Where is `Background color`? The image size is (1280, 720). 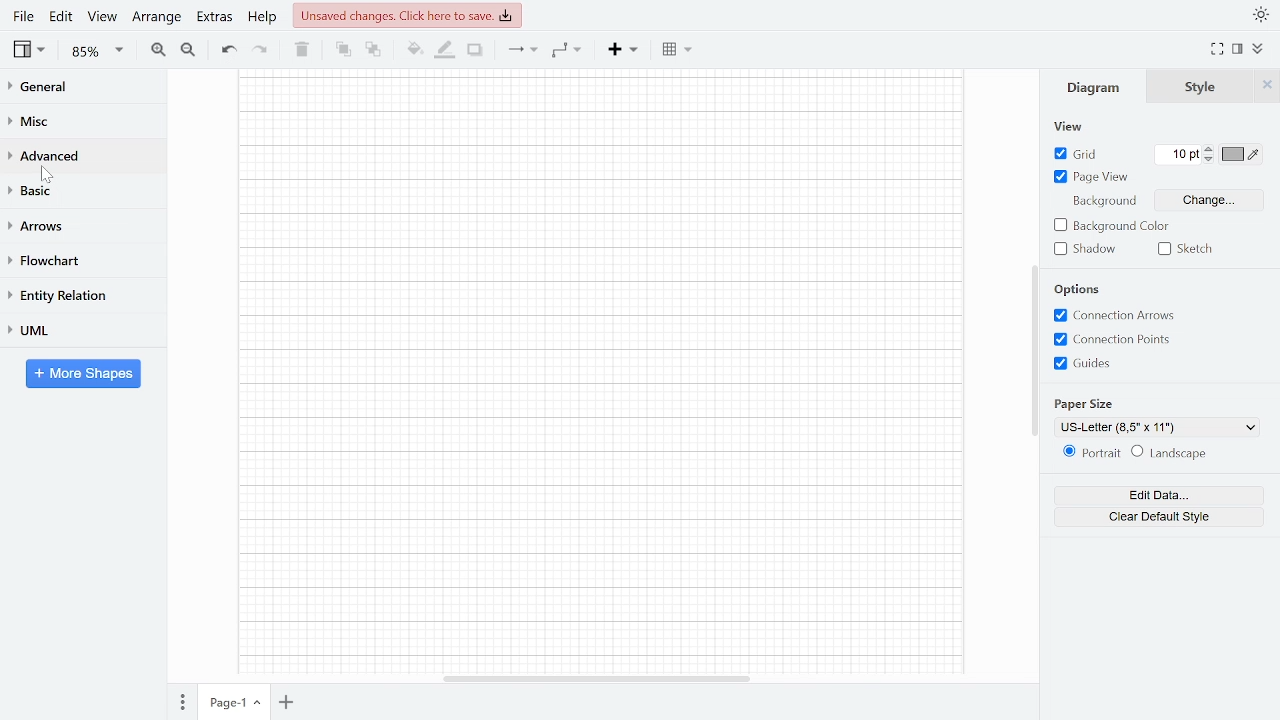
Background color is located at coordinates (1114, 226).